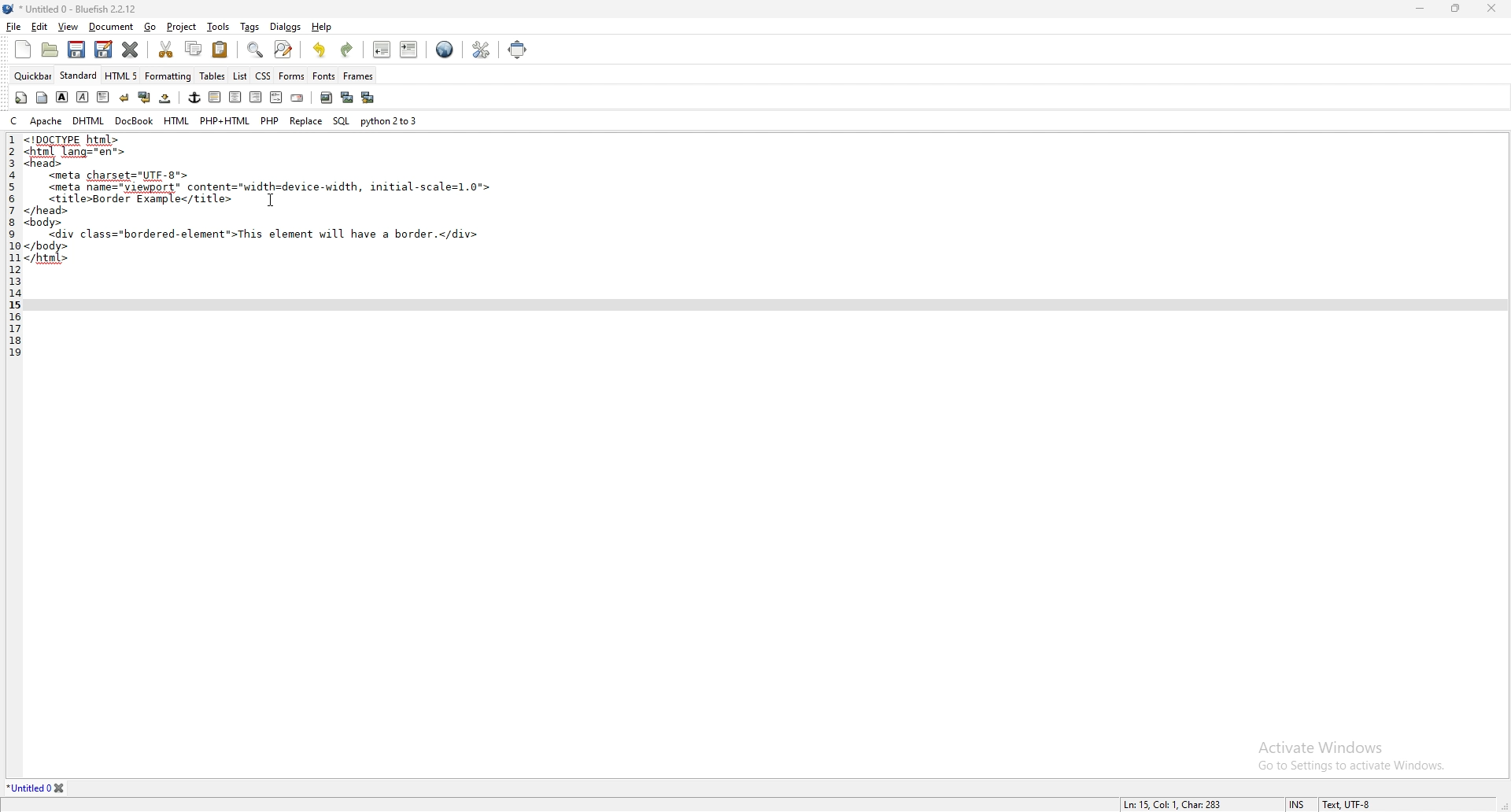 The height and width of the screenshot is (812, 1511). I want to click on tags, so click(251, 28).